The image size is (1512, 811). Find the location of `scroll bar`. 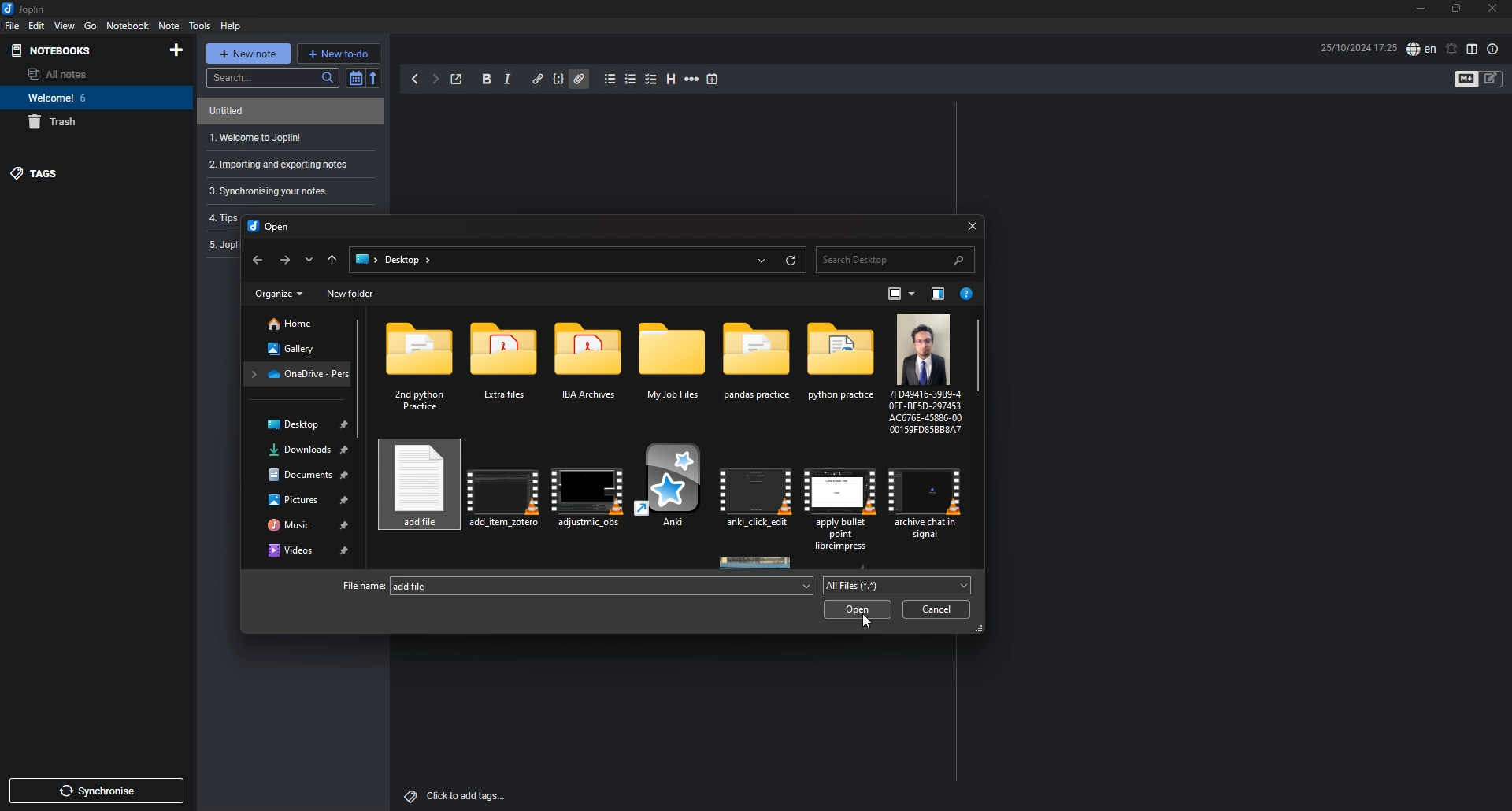

scroll bar is located at coordinates (980, 358).